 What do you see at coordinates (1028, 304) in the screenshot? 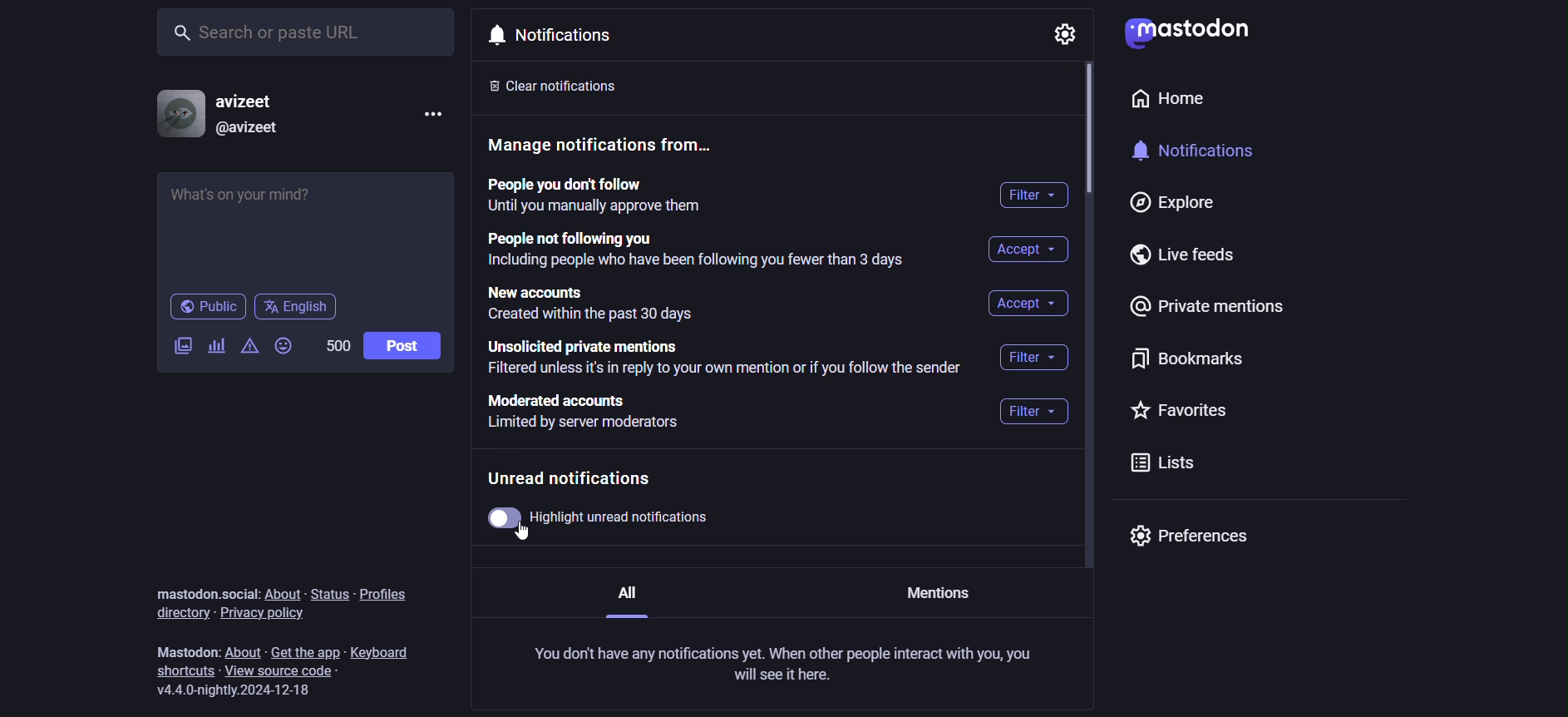
I see `accept` at bounding box center [1028, 304].